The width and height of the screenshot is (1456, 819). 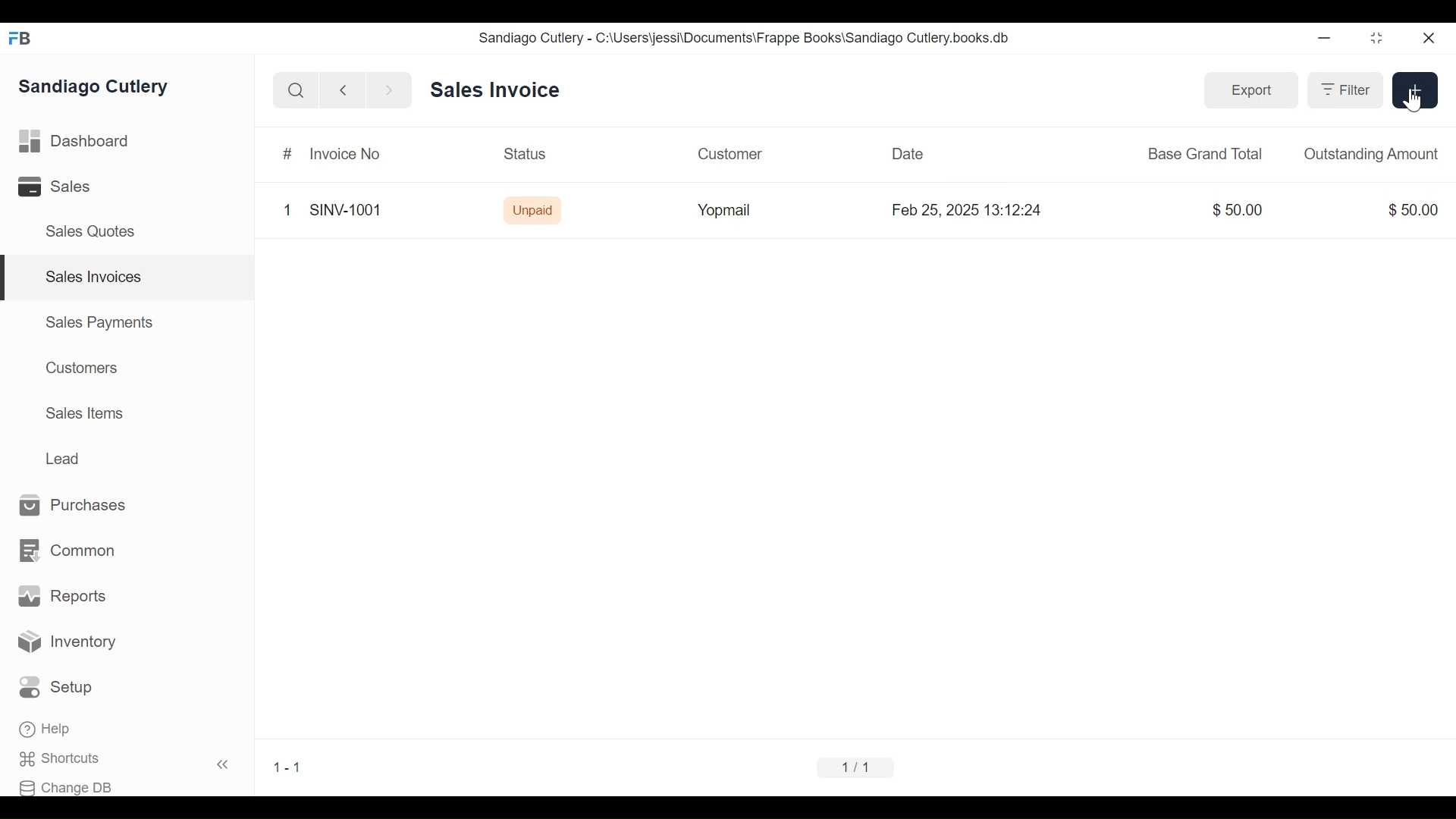 What do you see at coordinates (96, 232) in the screenshot?
I see `Sales Quotes` at bounding box center [96, 232].